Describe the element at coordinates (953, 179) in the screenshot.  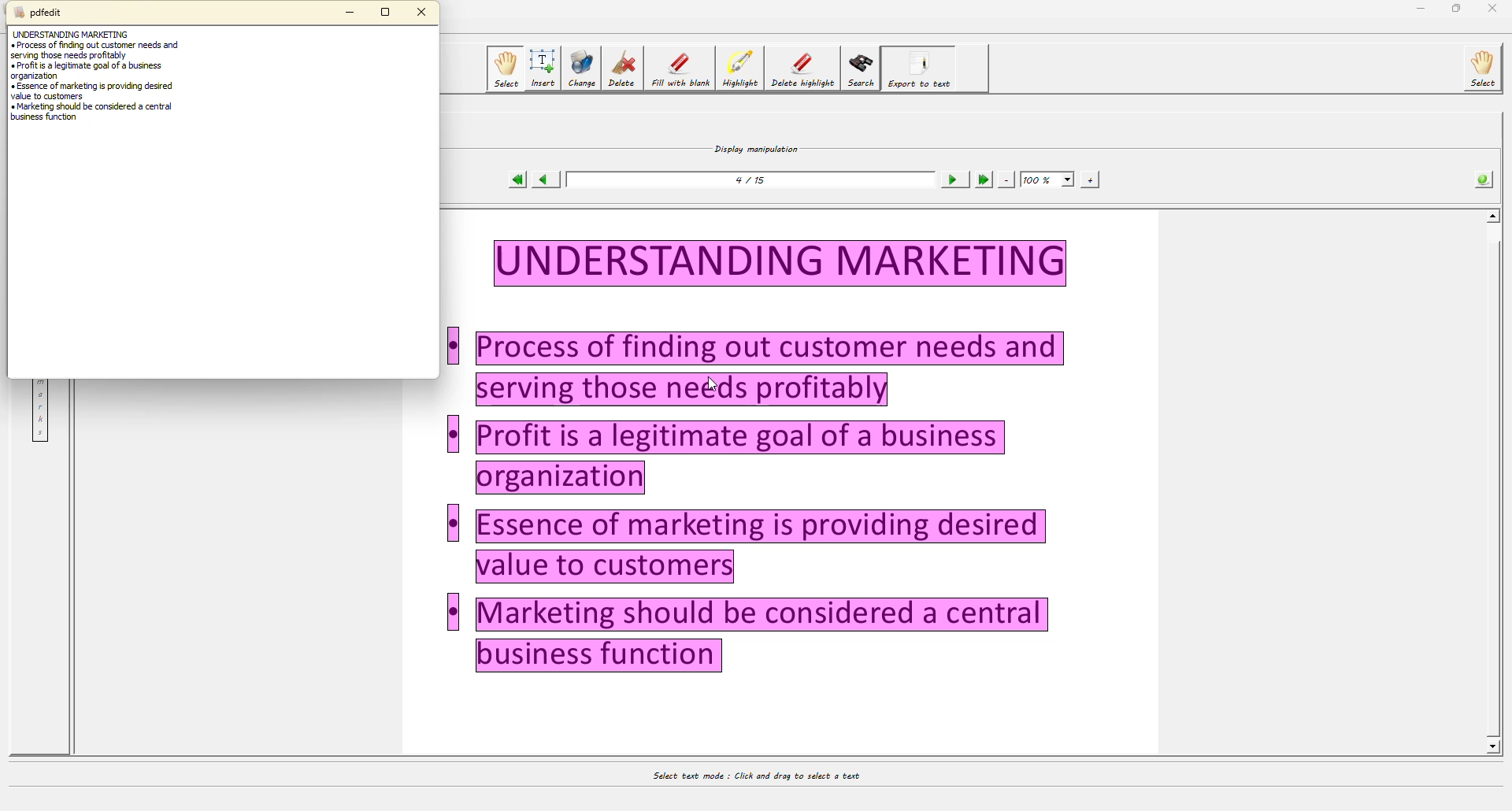
I see `next page` at that location.